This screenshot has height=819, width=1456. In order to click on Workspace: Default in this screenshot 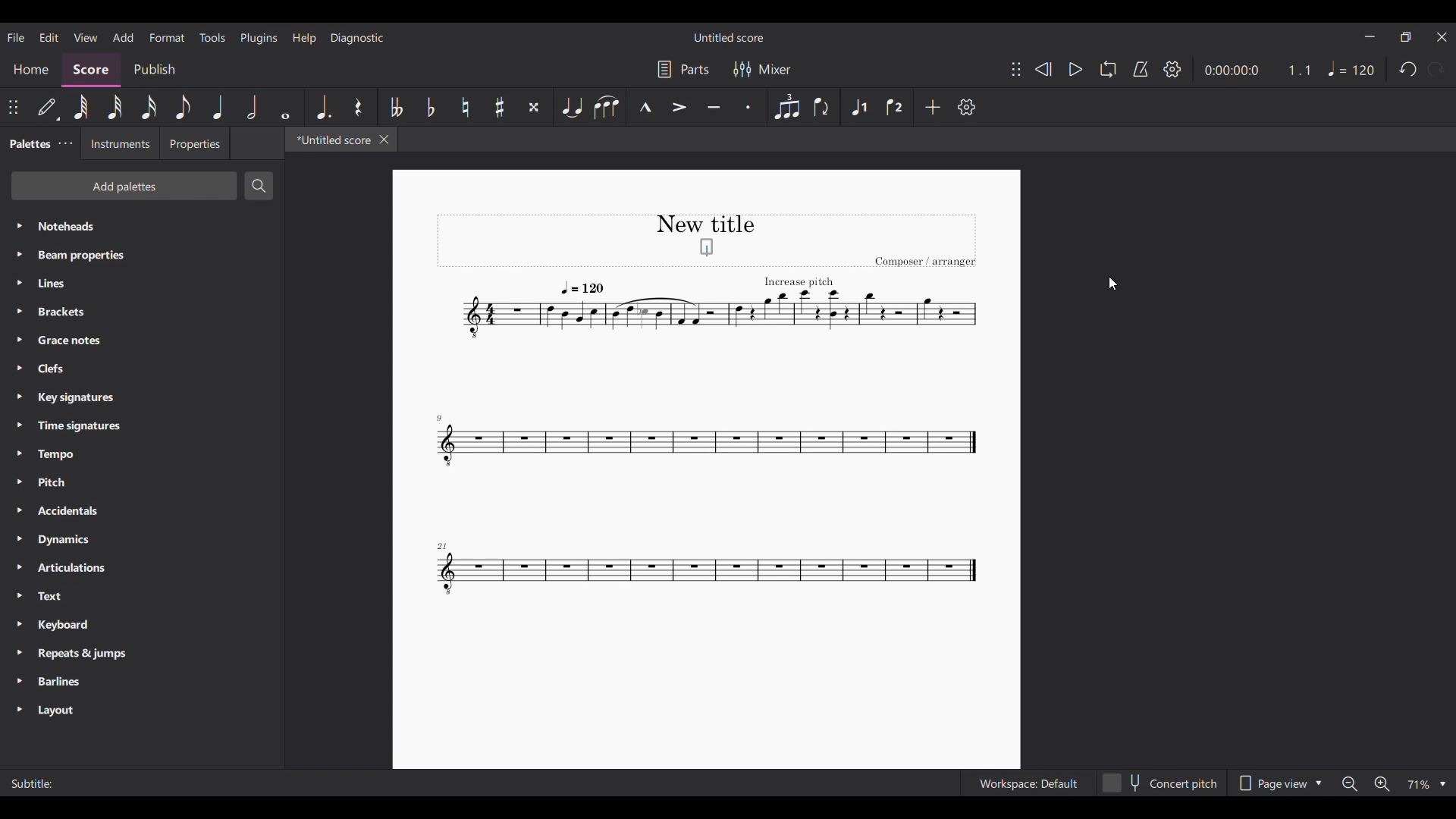, I will do `click(1028, 783)`.